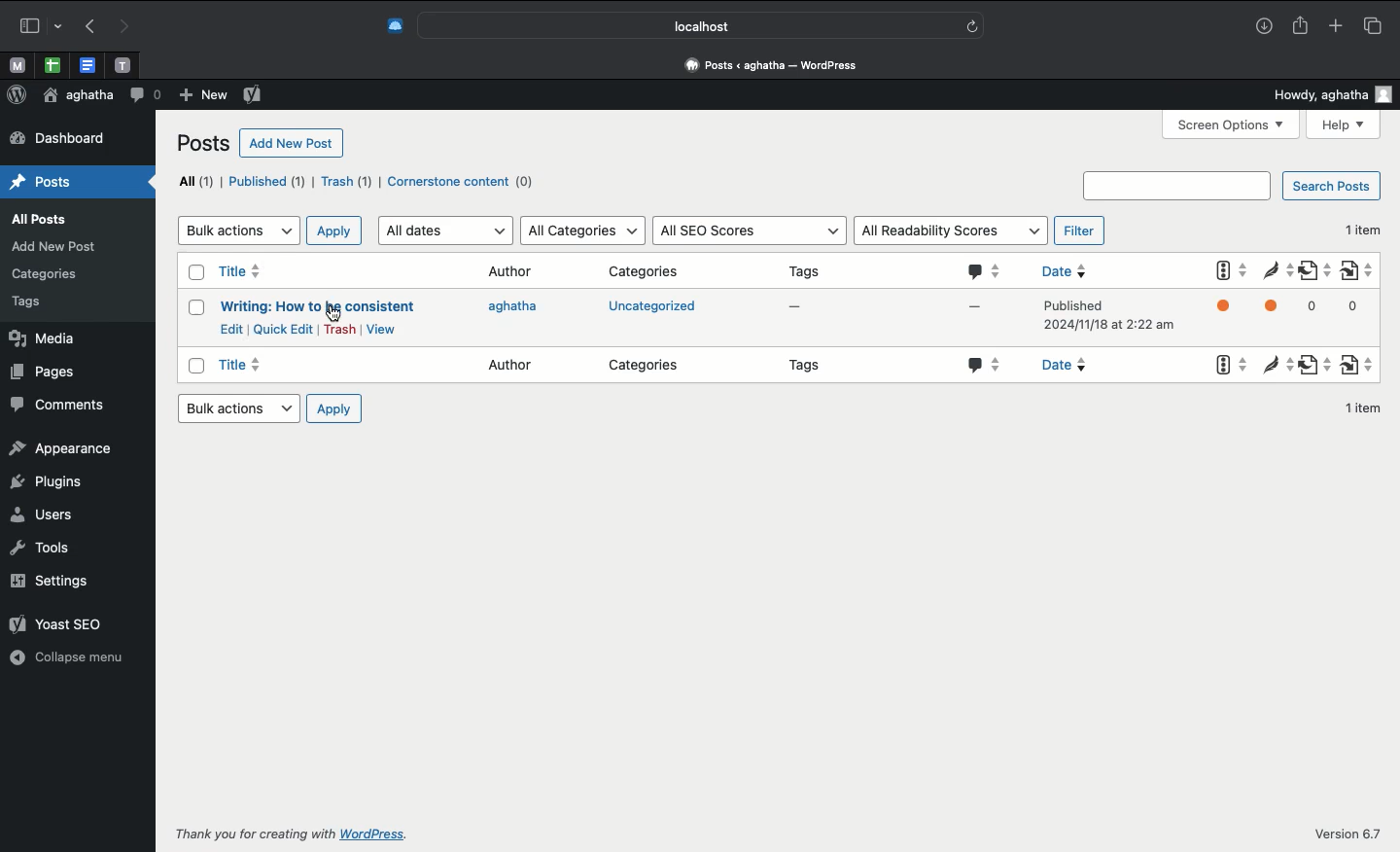  I want to click on -, so click(800, 307).